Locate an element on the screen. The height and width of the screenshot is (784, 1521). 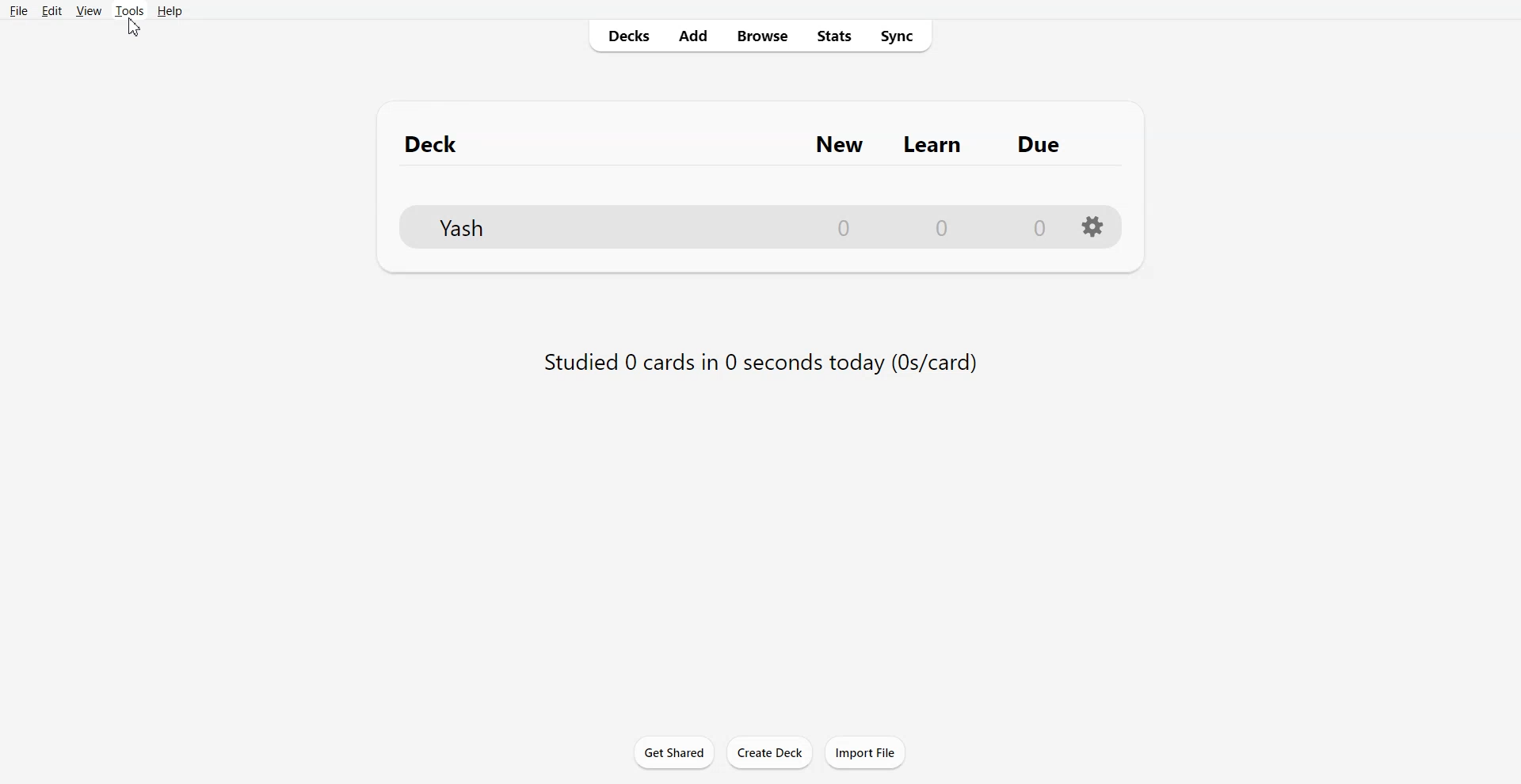
Import File is located at coordinates (866, 752).